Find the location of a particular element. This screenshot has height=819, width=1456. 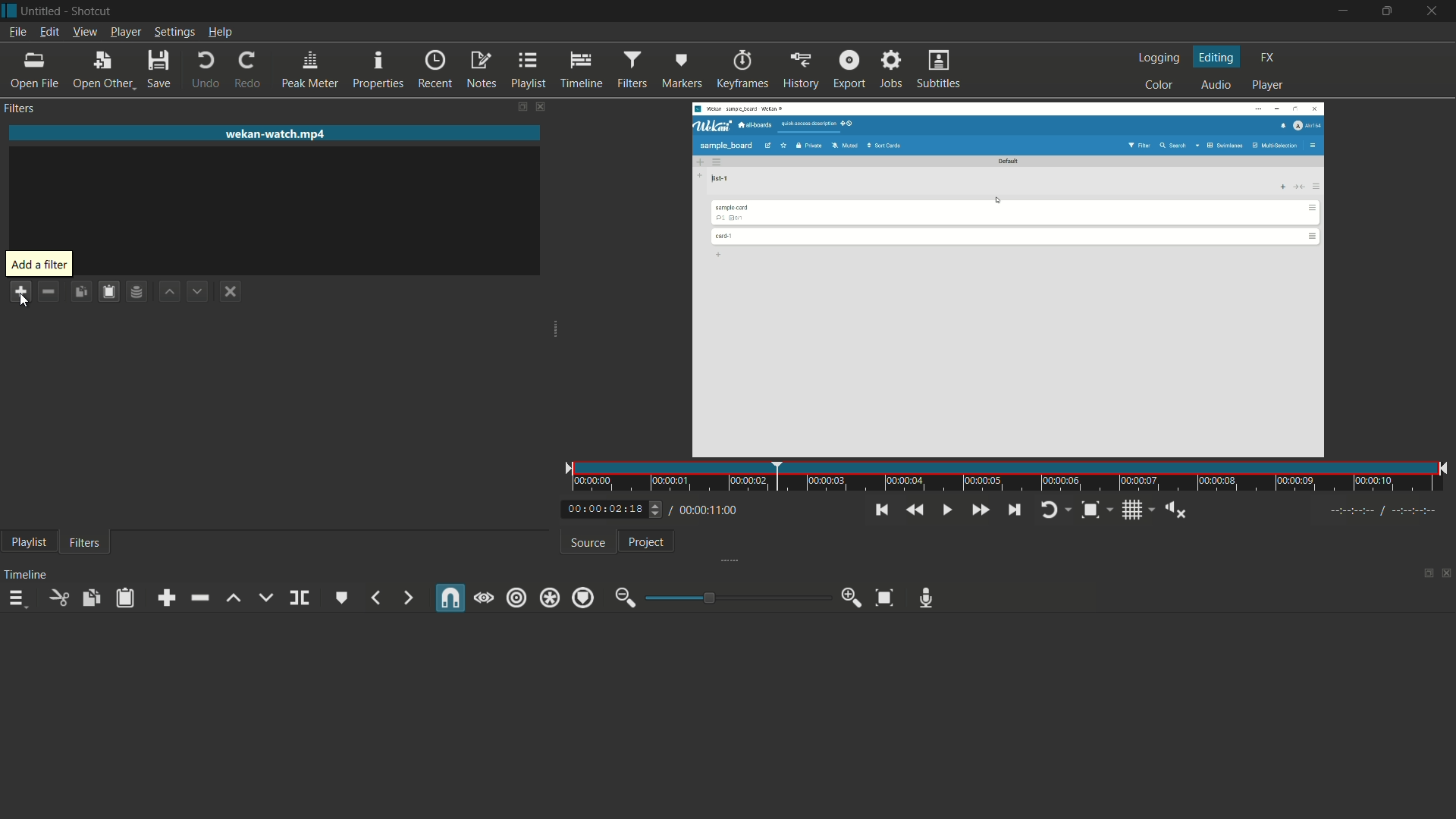

copy checked filters is located at coordinates (90, 598).